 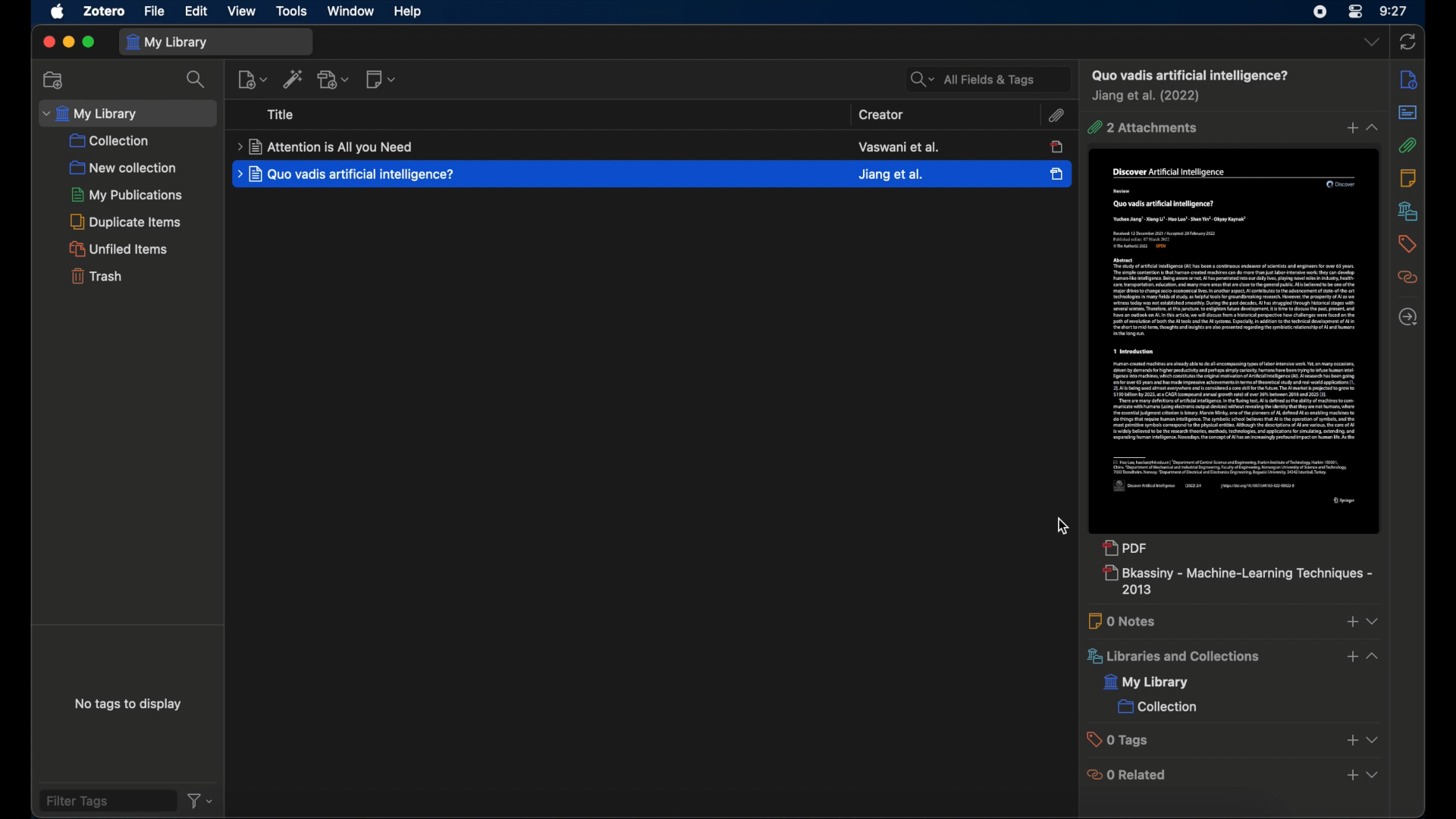 What do you see at coordinates (200, 802) in the screenshot?
I see `filter dropdown` at bounding box center [200, 802].